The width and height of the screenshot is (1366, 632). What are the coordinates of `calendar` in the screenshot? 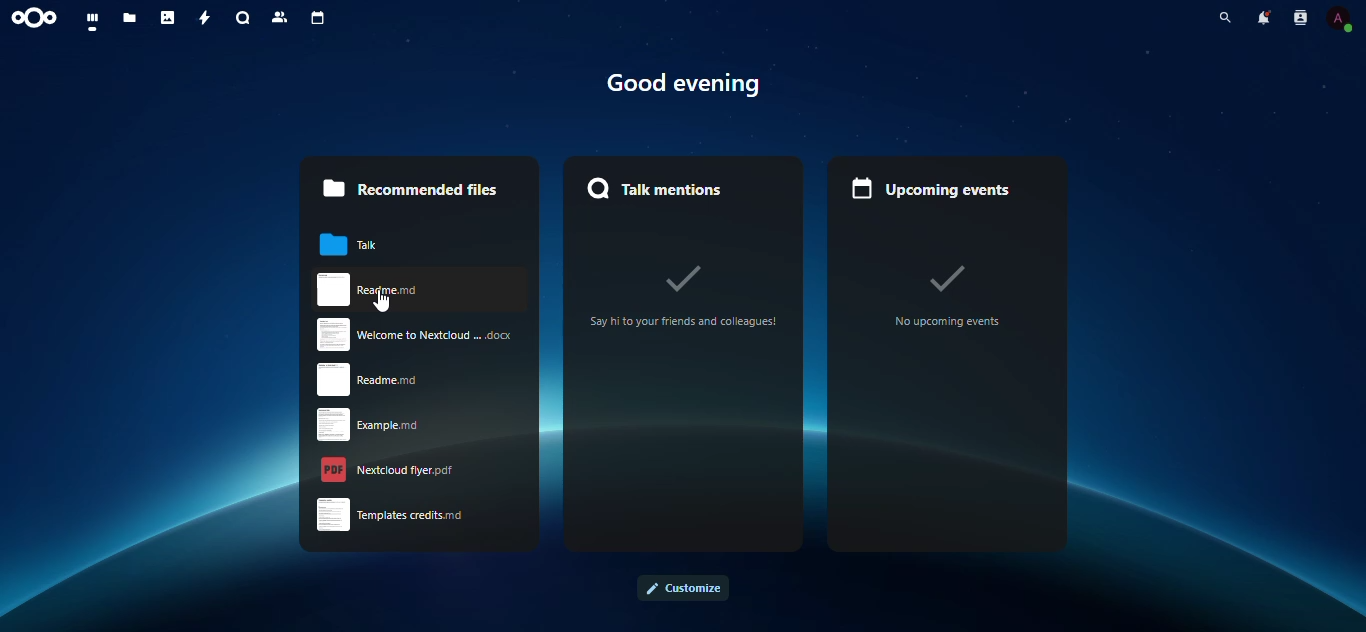 It's located at (316, 19).